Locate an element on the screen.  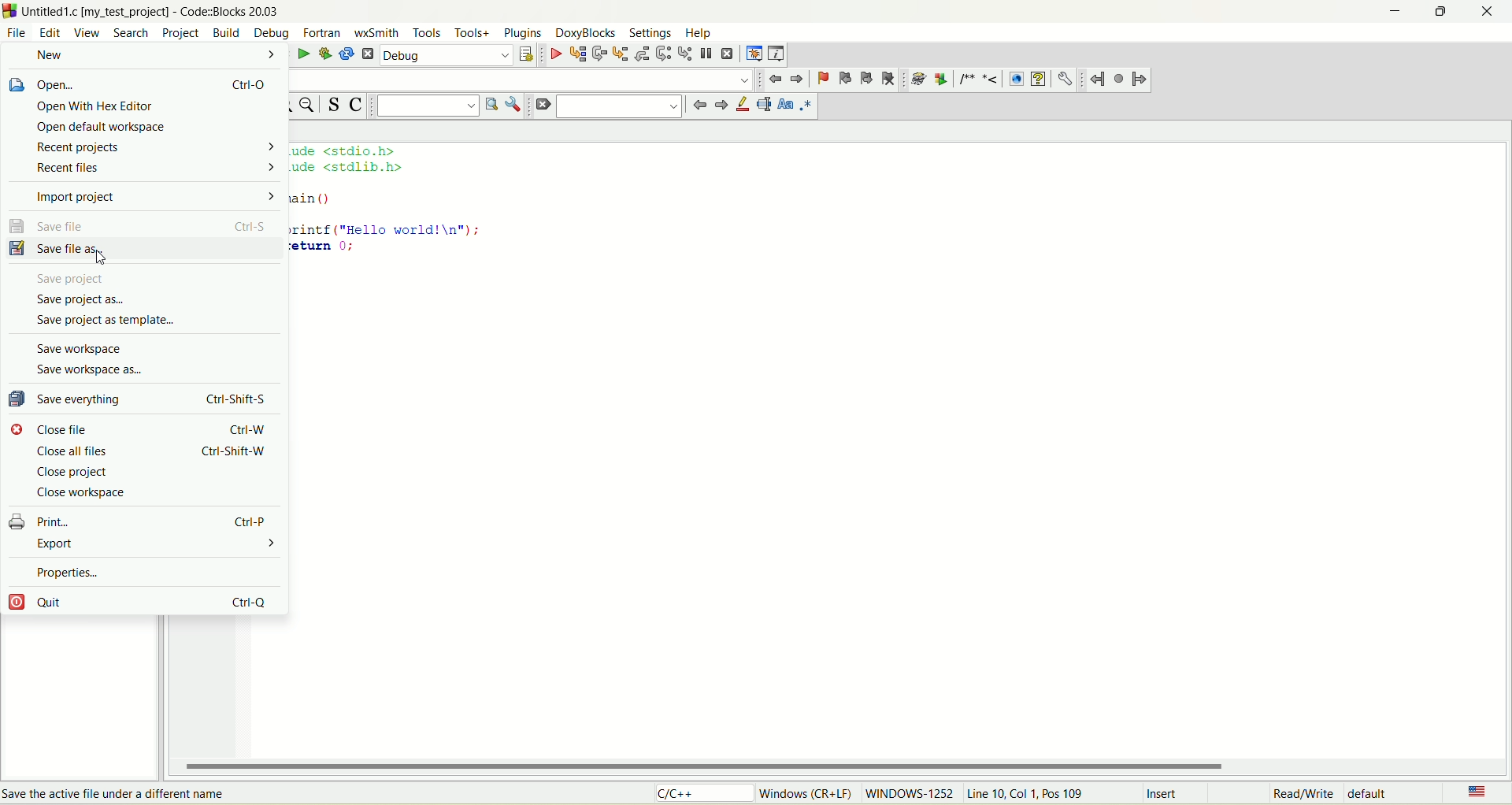
import project is located at coordinates (157, 197).